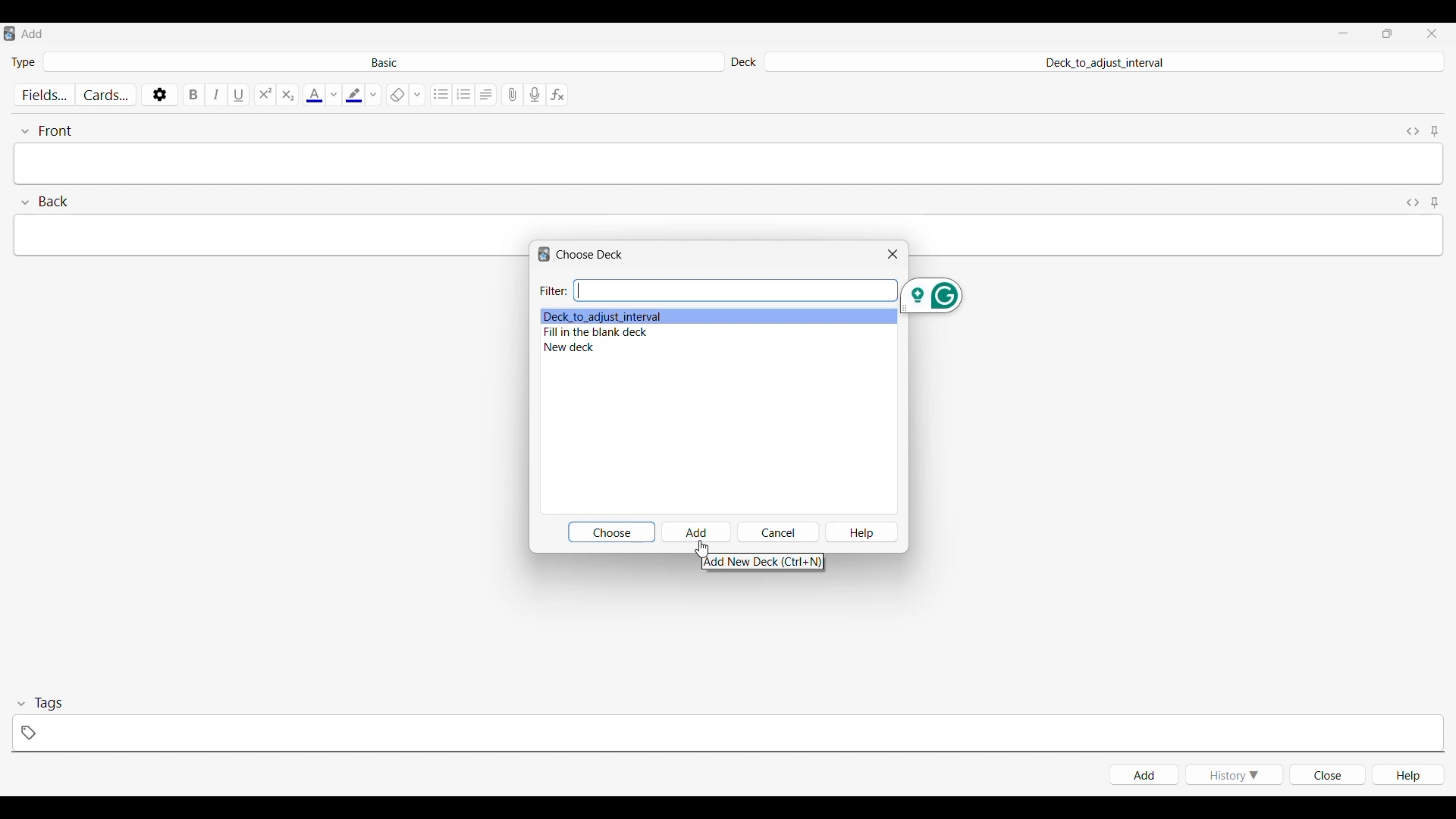 Image resolution: width=1456 pixels, height=819 pixels. What do you see at coordinates (1235, 774) in the screenshot?
I see `` at bounding box center [1235, 774].